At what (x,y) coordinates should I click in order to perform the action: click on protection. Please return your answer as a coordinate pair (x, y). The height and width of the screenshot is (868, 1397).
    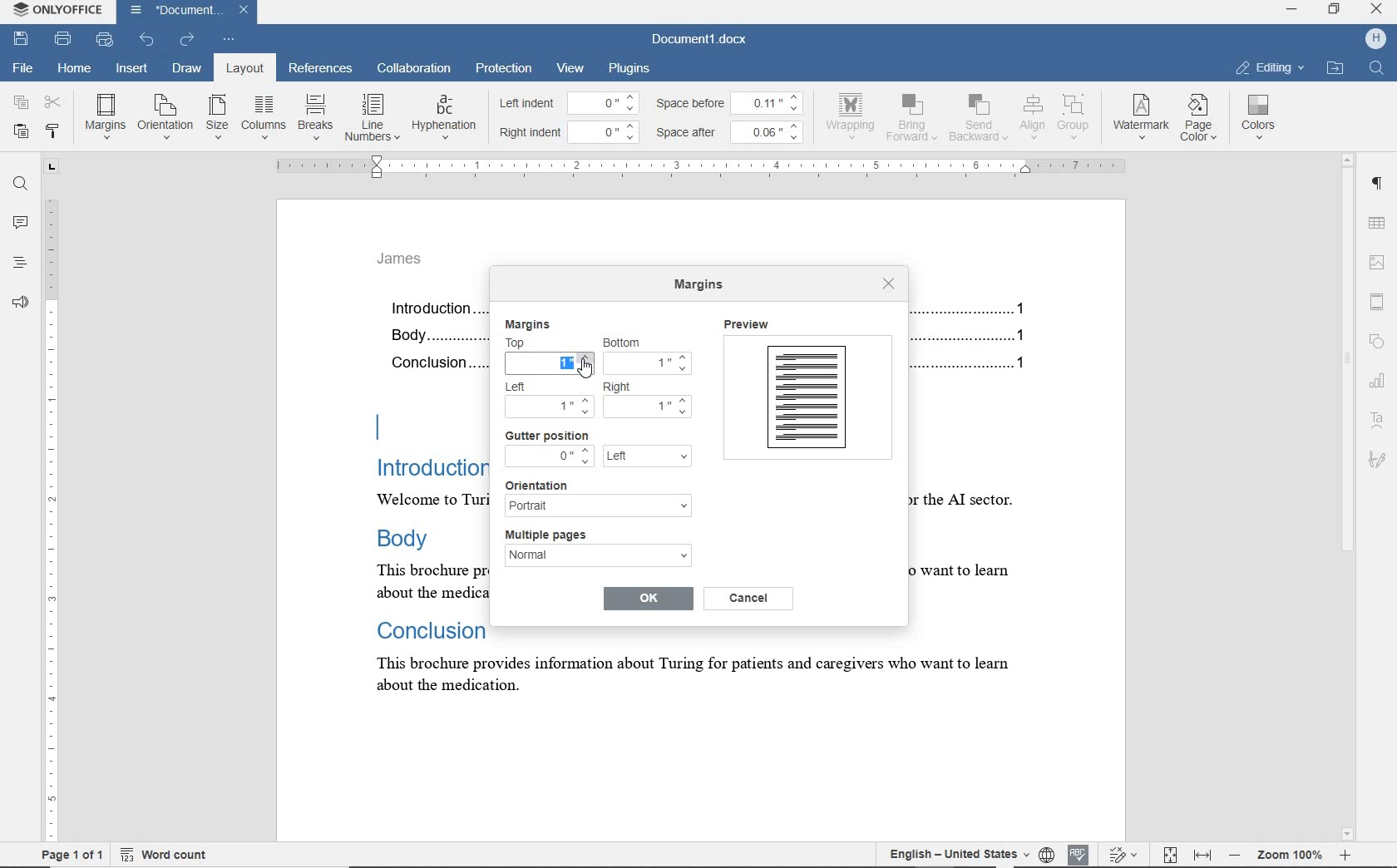
    Looking at the image, I should click on (503, 67).